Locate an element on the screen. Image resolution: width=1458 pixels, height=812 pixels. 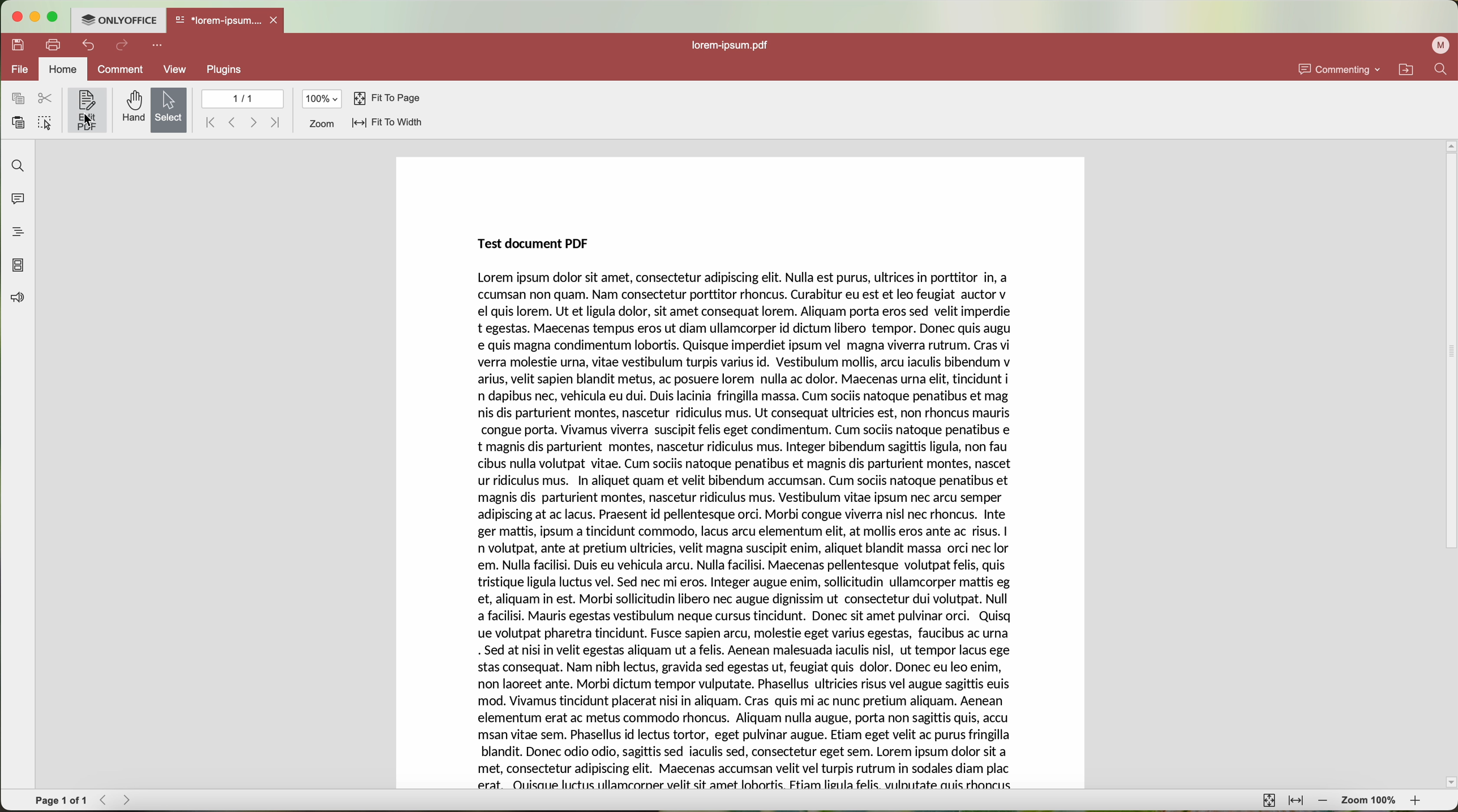
Forward is located at coordinates (130, 800).